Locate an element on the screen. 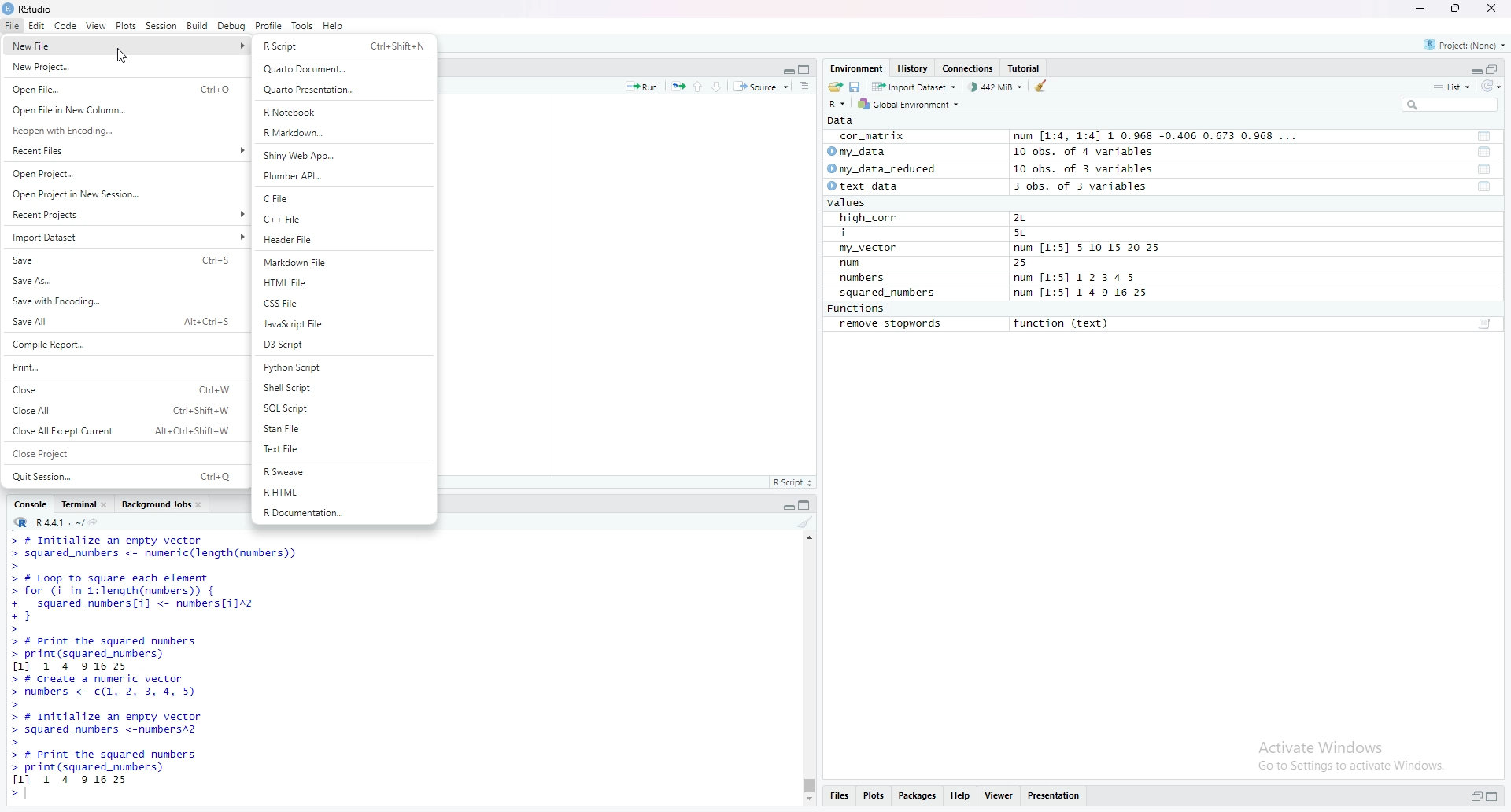  Open Project in New Session... is located at coordinates (122, 194).